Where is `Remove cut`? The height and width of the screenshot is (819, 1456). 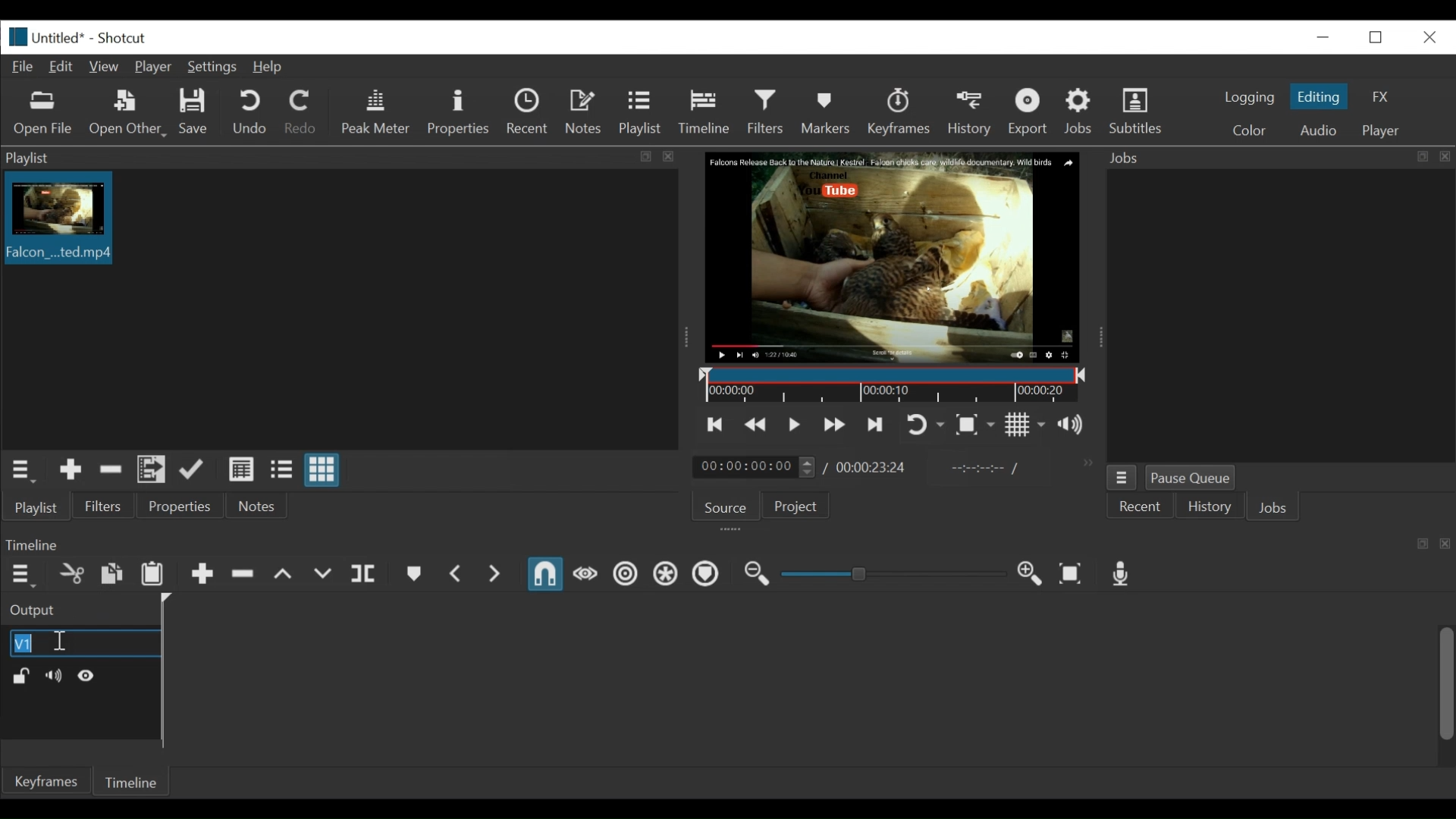 Remove cut is located at coordinates (111, 470).